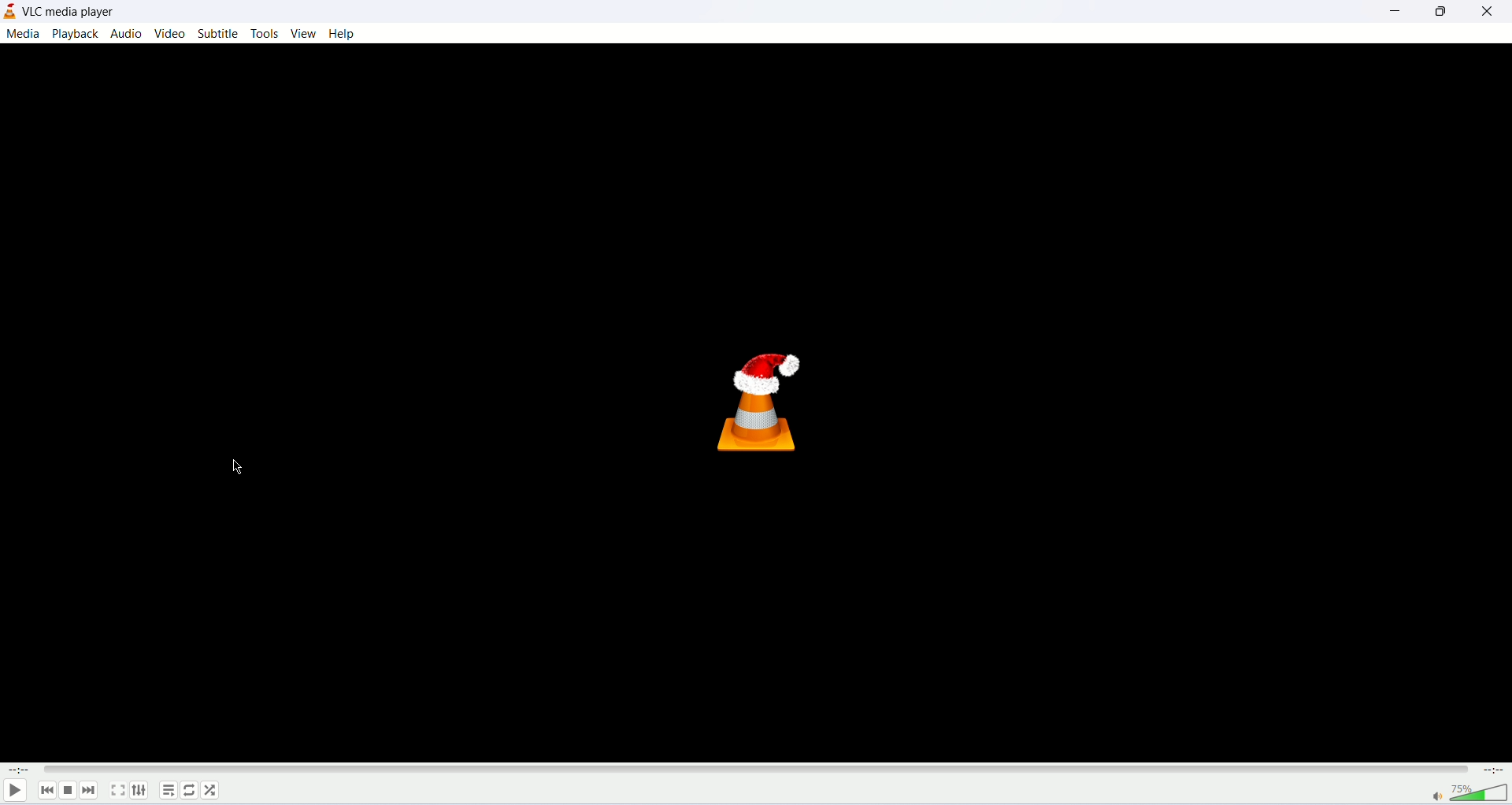  Describe the element at coordinates (139, 790) in the screenshot. I see `extended settings` at that location.